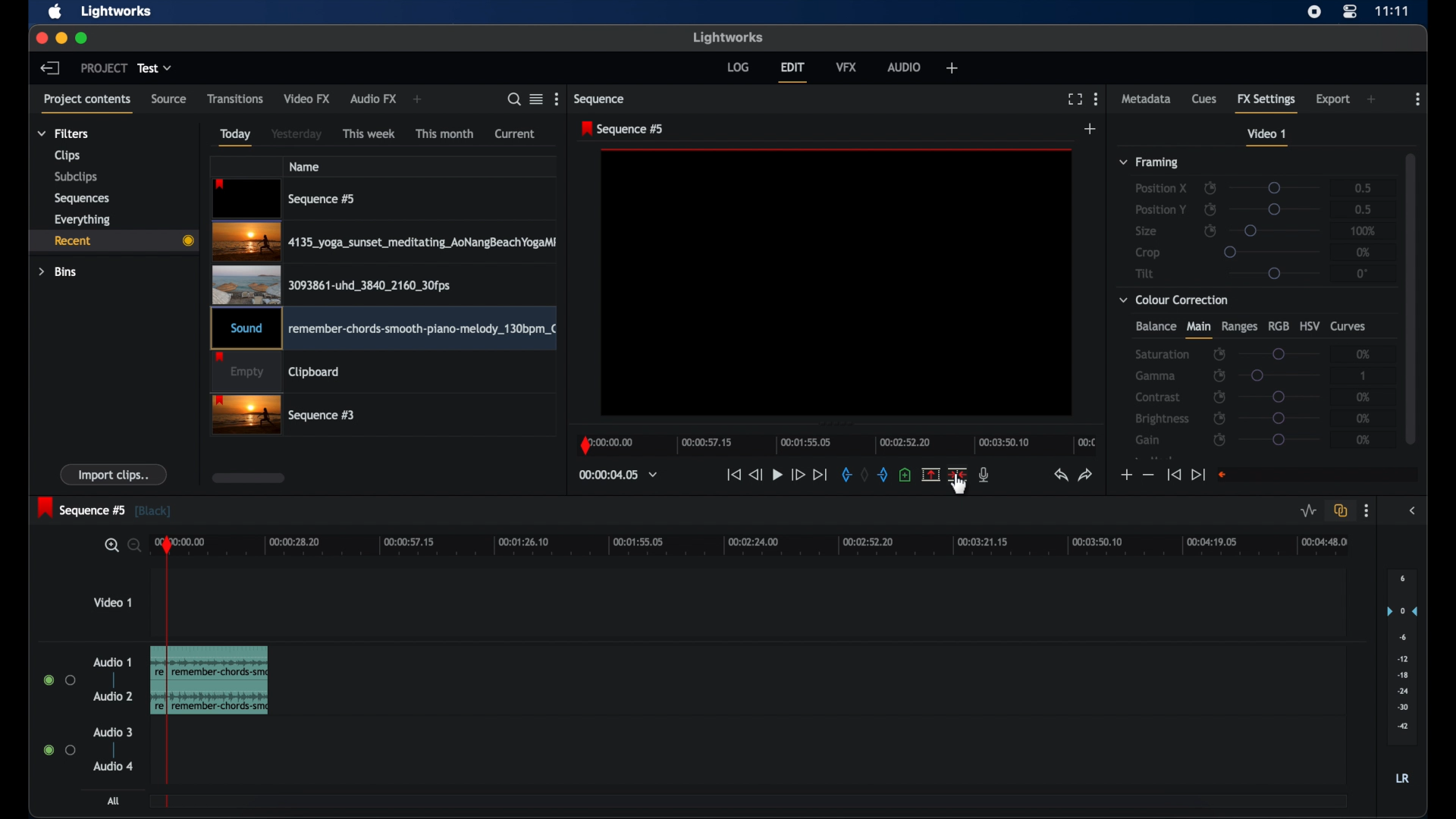 This screenshot has height=819, width=1456. Describe the element at coordinates (1332, 100) in the screenshot. I see `export` at that location.